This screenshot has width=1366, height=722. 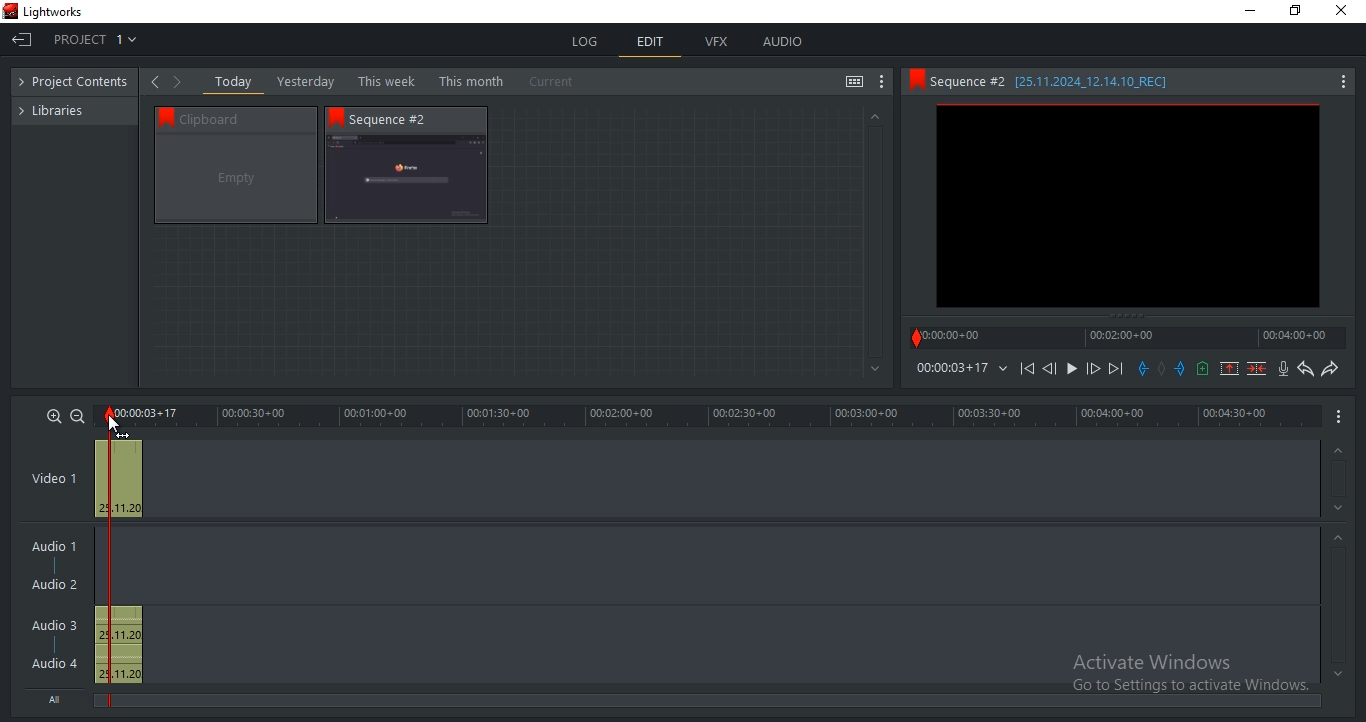 What do you see at coordinates (1285, 369) in the screenshot?
I see `record audio` at bounding box center [1285, 369].